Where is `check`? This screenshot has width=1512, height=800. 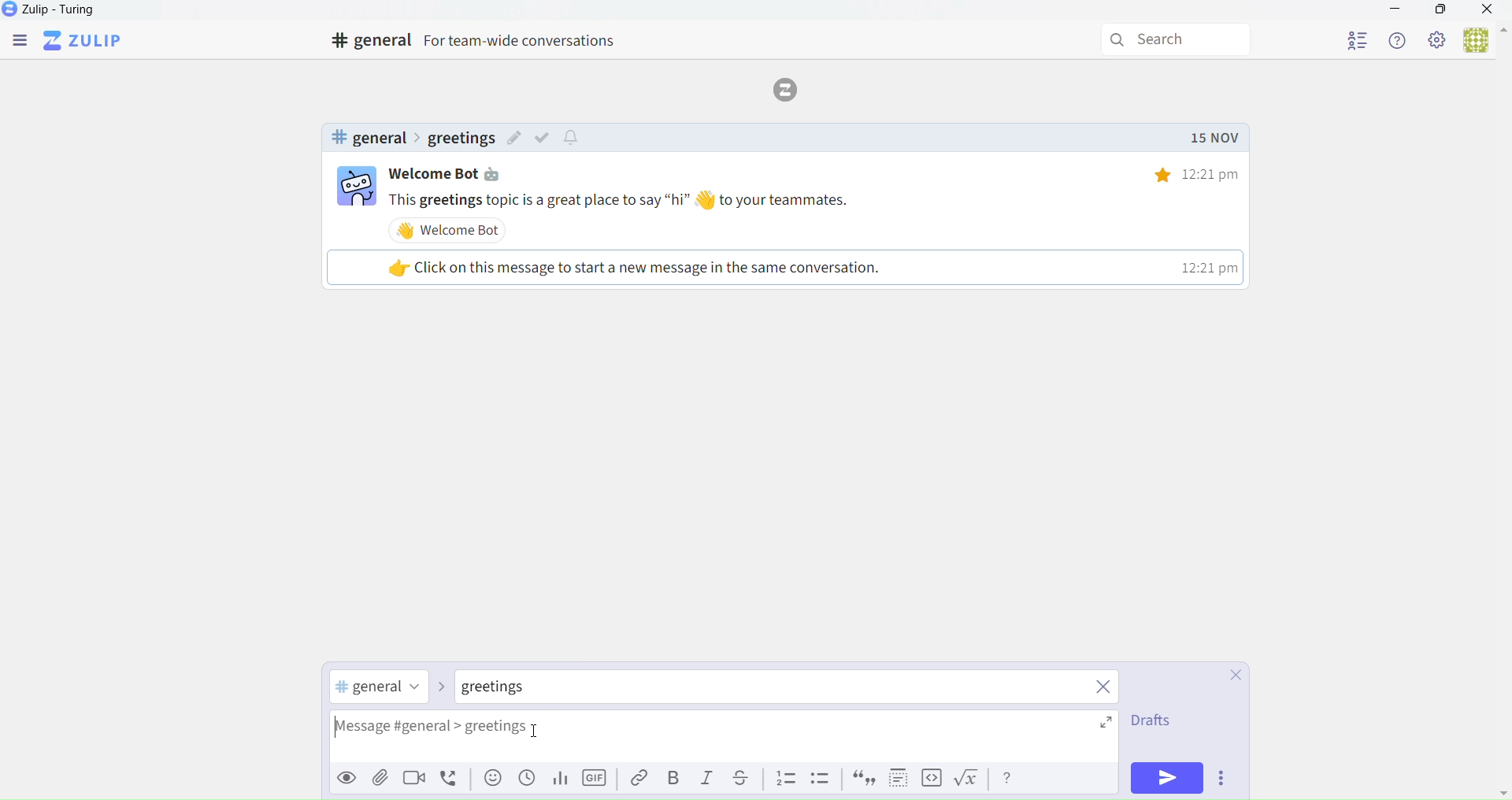 check is located at coordinates (546, 137).